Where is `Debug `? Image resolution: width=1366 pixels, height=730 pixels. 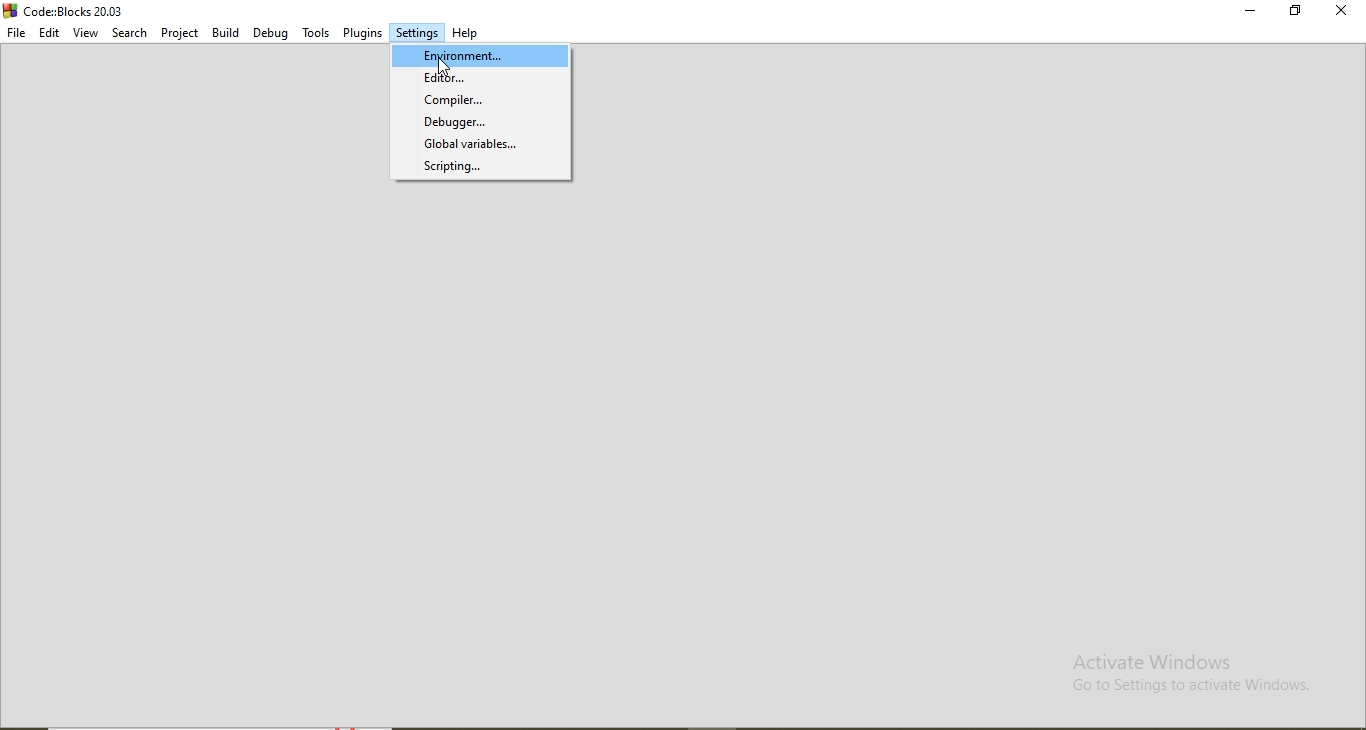
Debug  is located at coordinates (272, 32).